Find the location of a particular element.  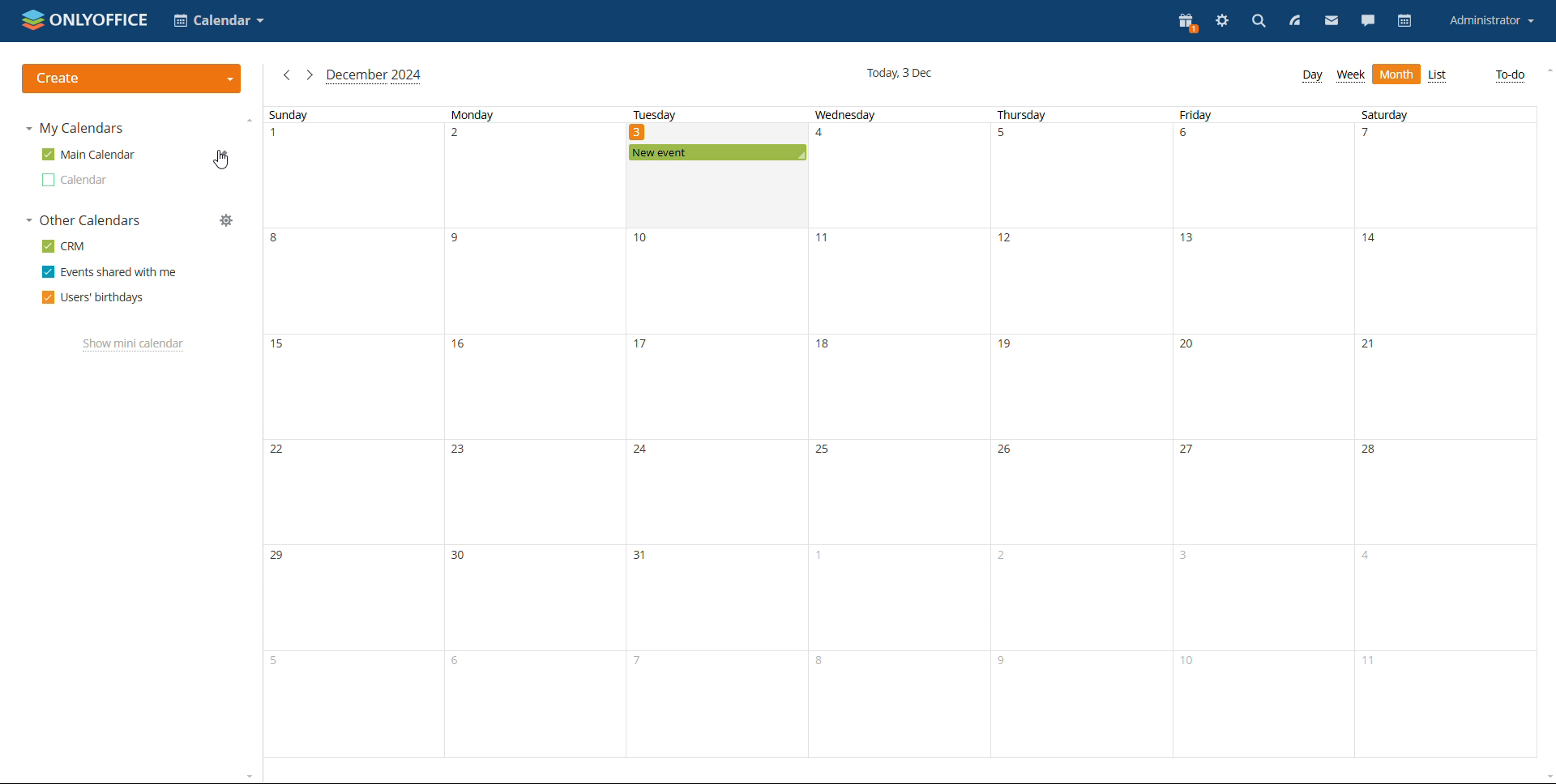

date is located at coordinates (896, 491).